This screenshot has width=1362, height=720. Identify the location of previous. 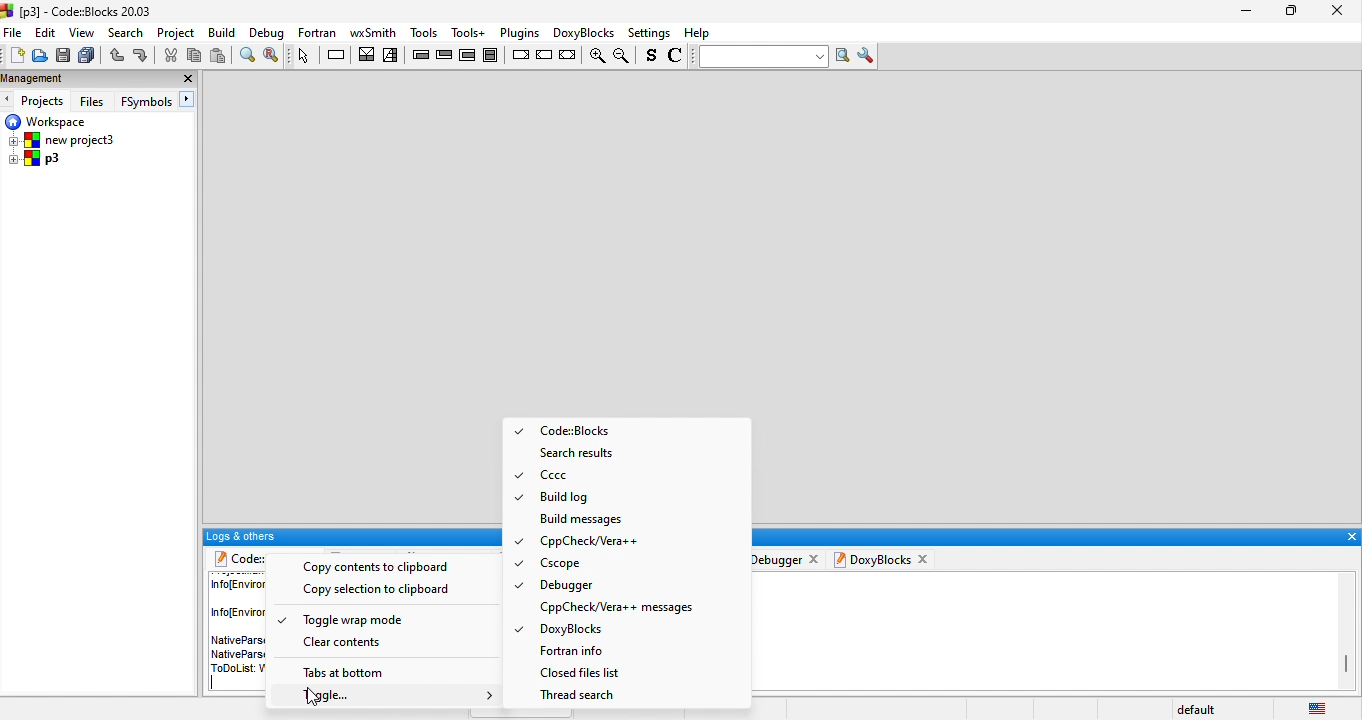
(9, 100).